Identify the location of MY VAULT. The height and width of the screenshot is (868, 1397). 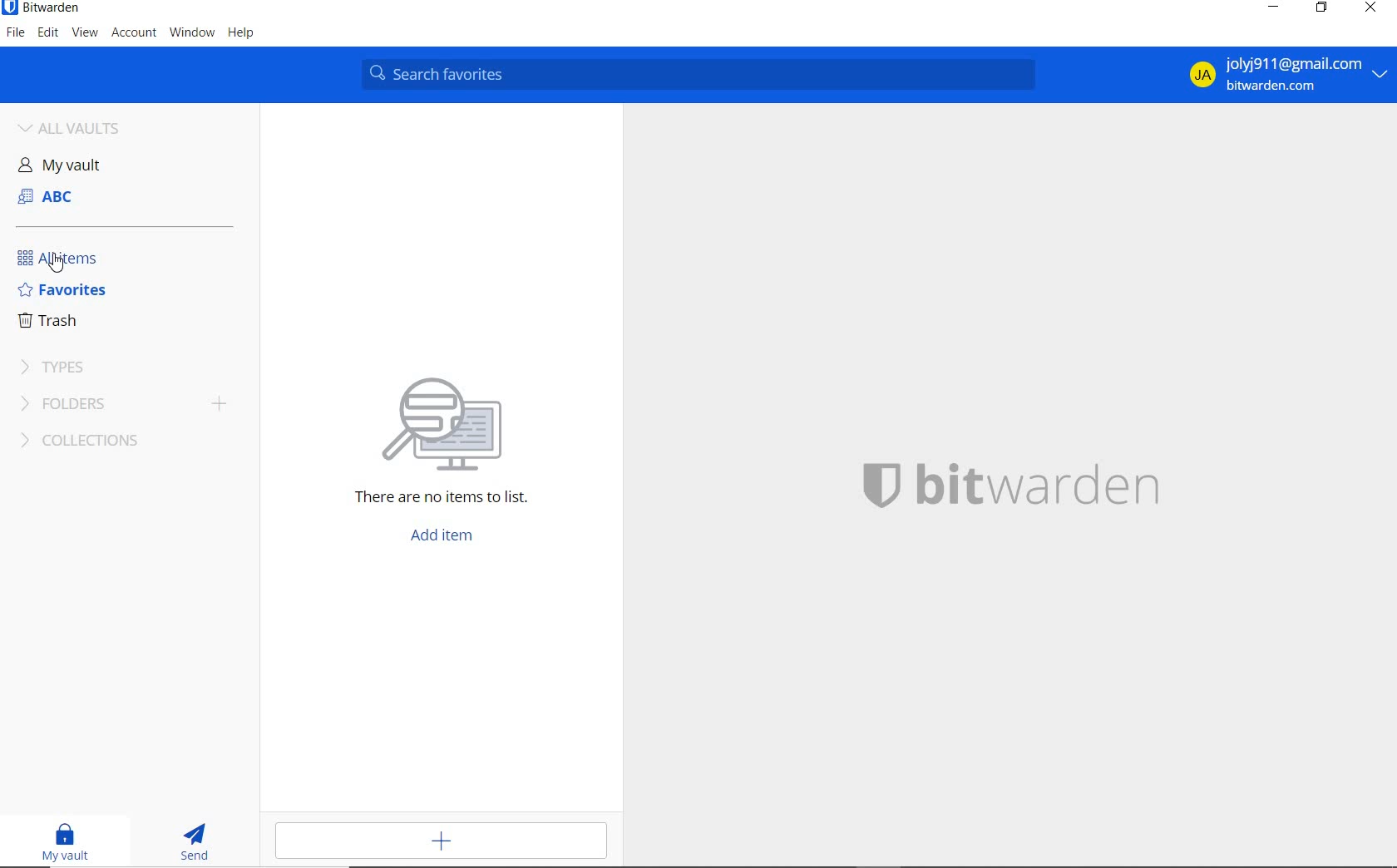
(68, 842).